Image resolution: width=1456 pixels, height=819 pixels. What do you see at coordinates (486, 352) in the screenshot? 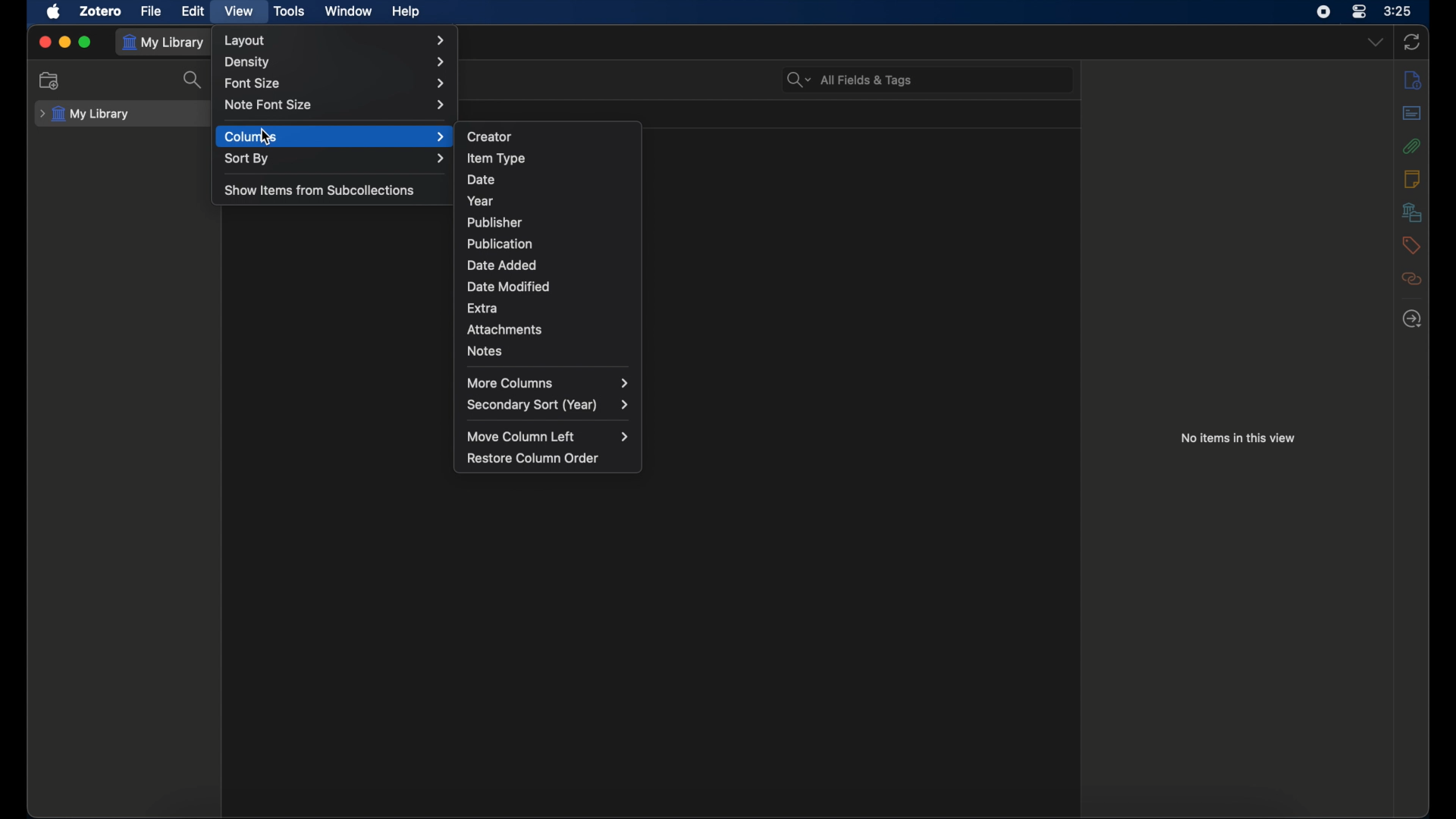
I see `notes` at bounding box center [486, 352].